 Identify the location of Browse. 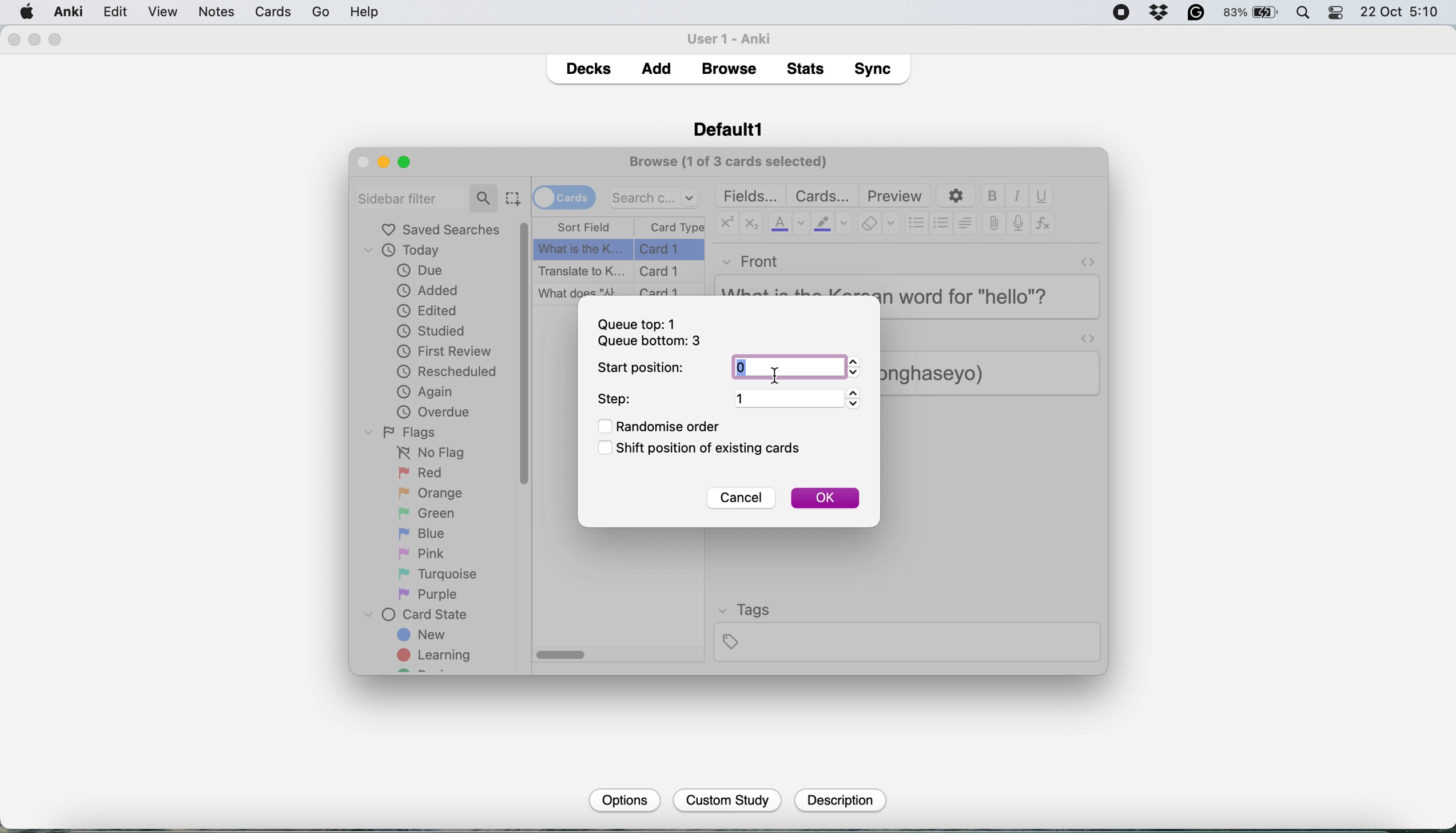
(728, 69).